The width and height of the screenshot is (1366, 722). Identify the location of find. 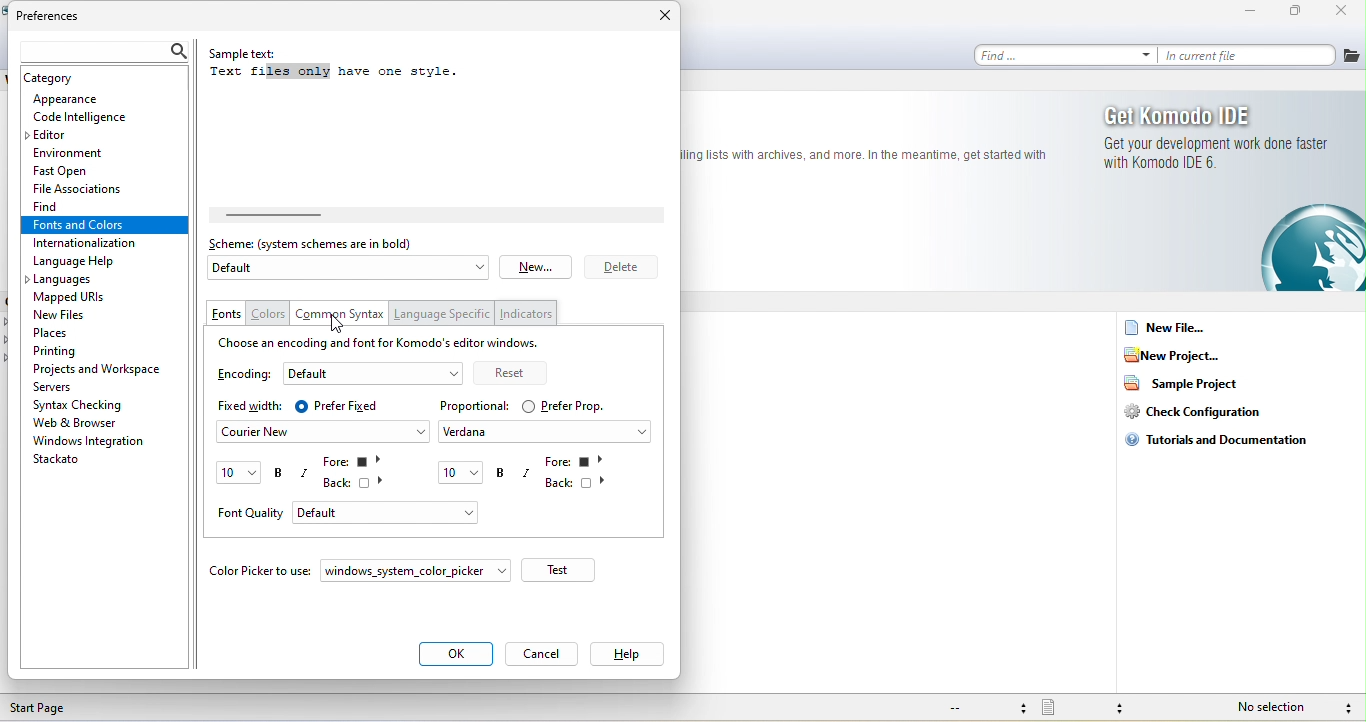
(1068, 56).